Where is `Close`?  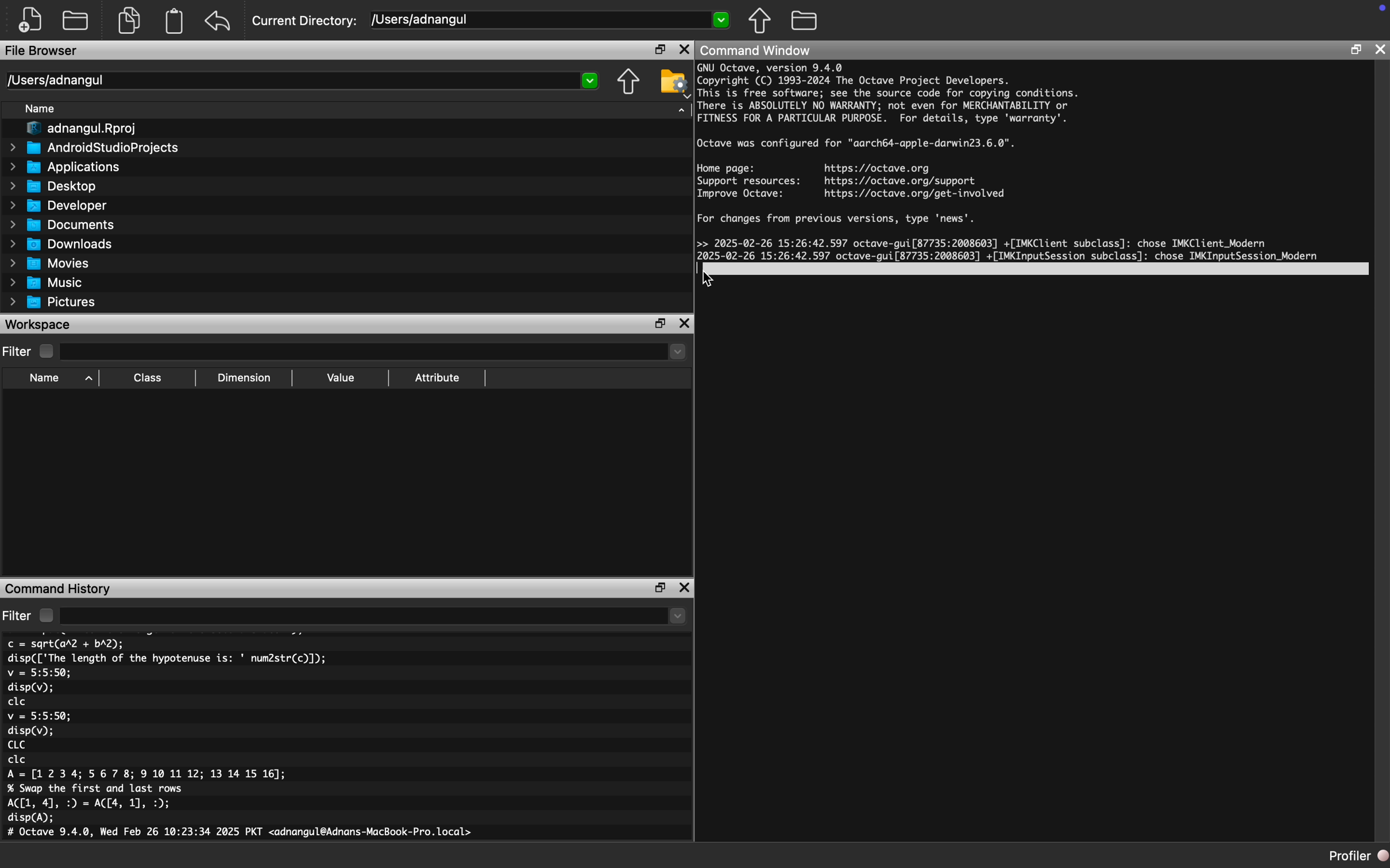
Close is located at coordinates (685, 324).